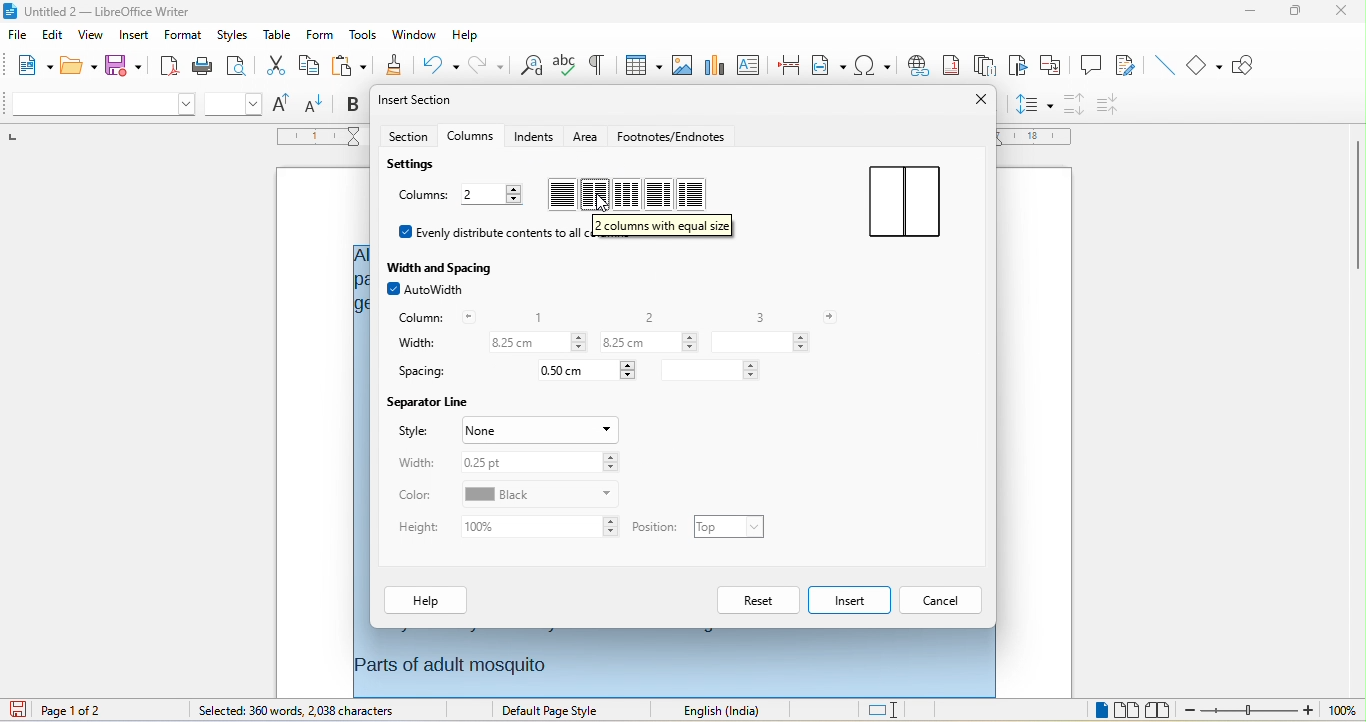 The height and width of the screenshot is (722, 1366). Describe the element at coordinates (596, 194) in the screenshot. I see `2 column with equal size` at that location.